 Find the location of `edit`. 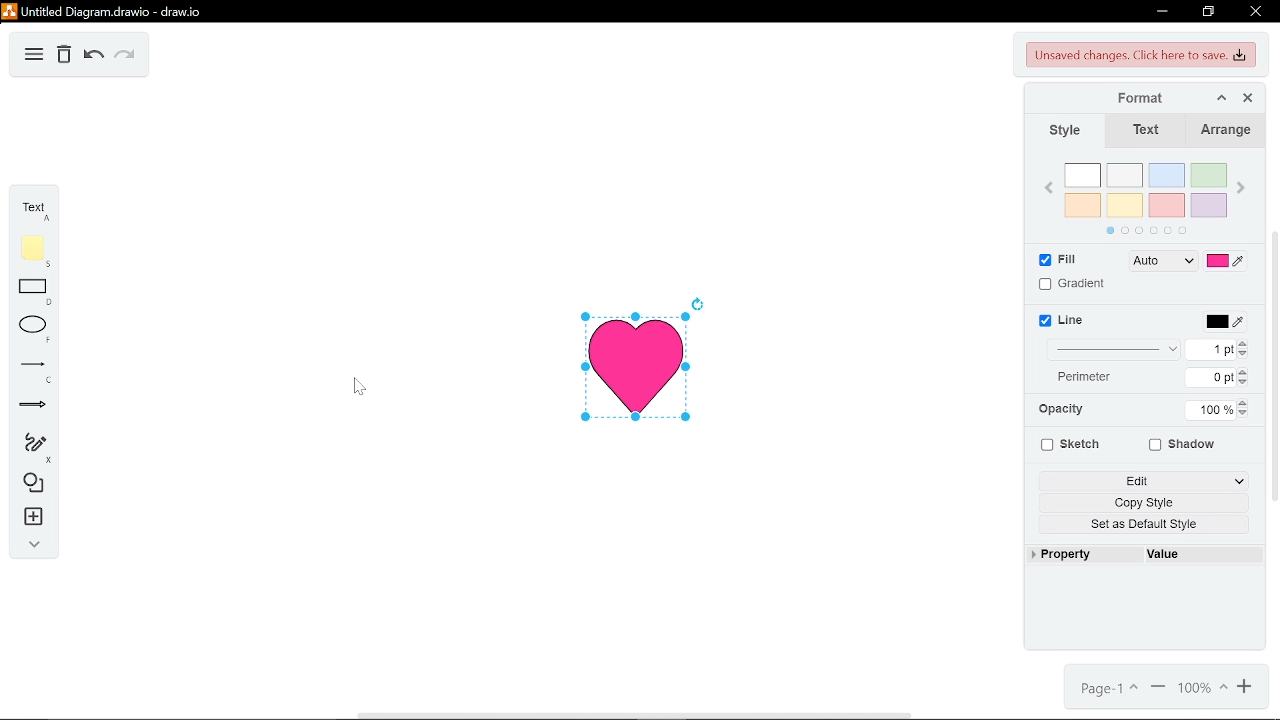

edit is located at coordinates (1147, 479).